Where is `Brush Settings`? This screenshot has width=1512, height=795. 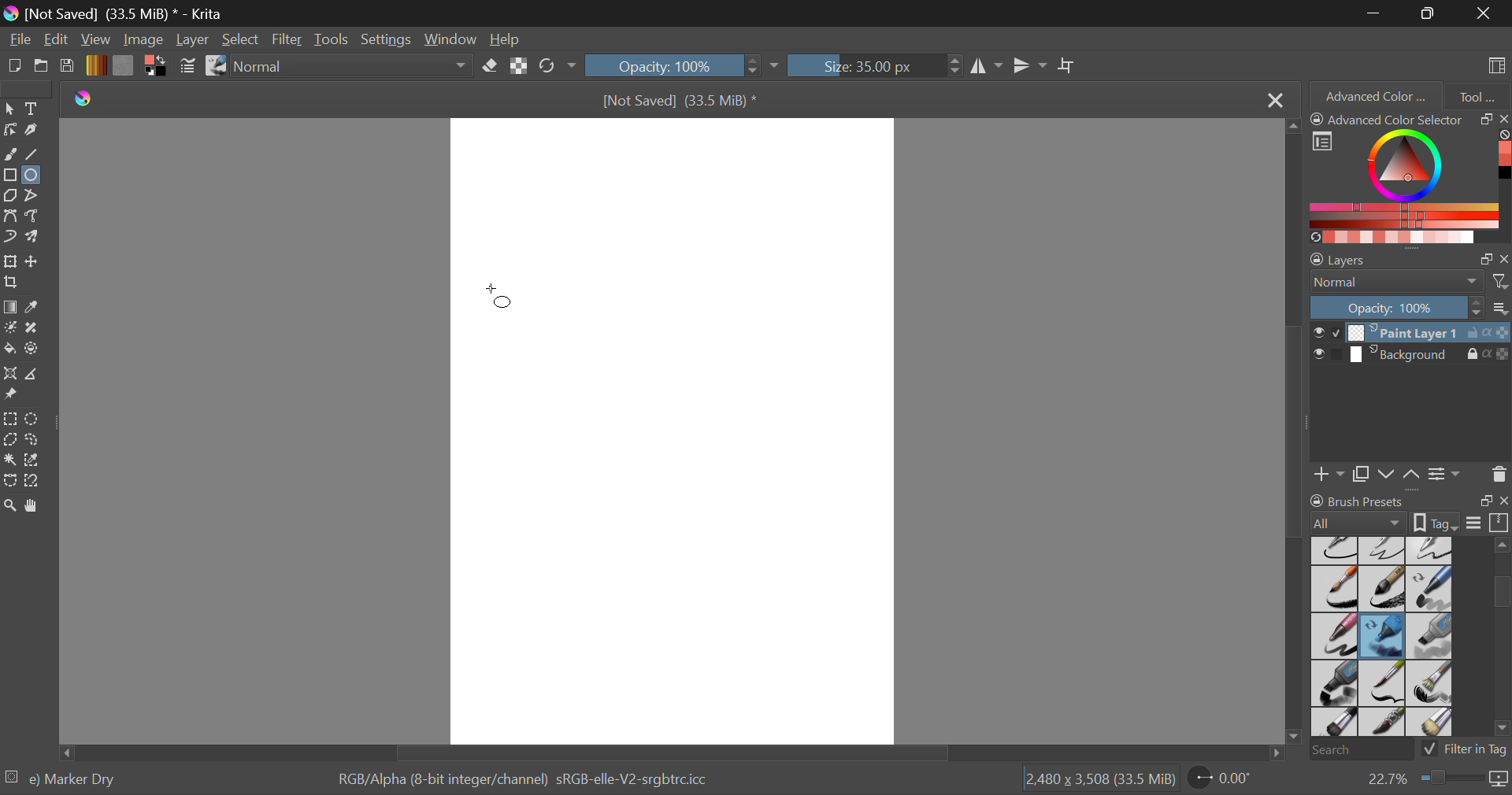 Brush Settings is located at coordinates (187, 67).